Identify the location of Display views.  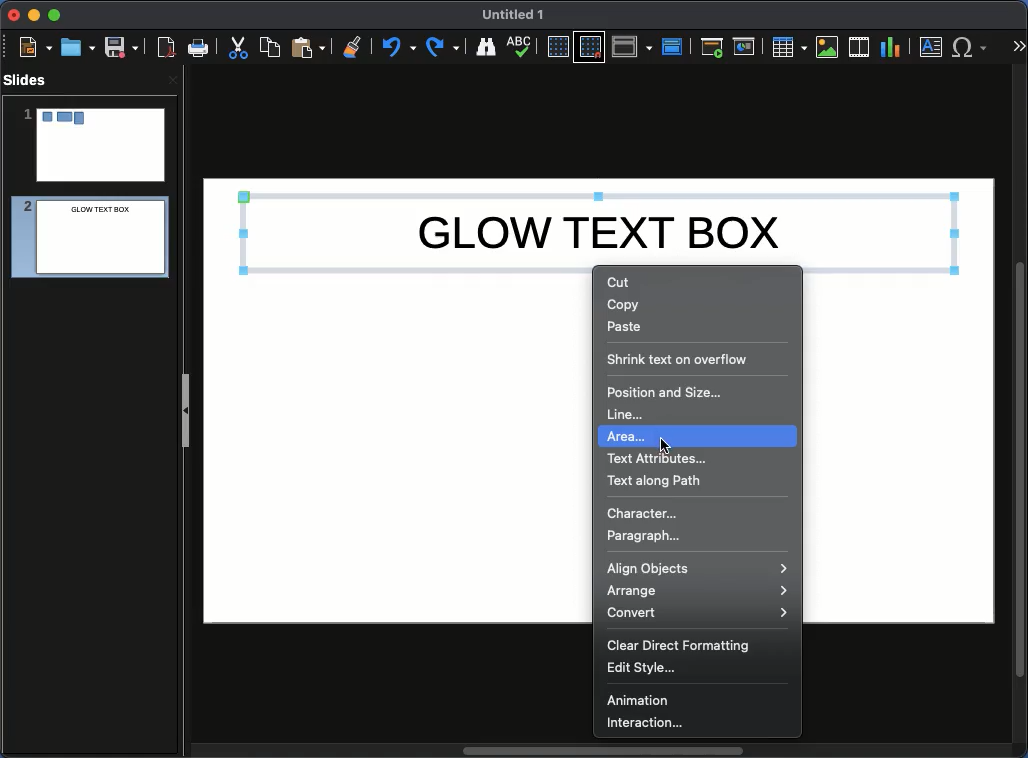
(635, 45).